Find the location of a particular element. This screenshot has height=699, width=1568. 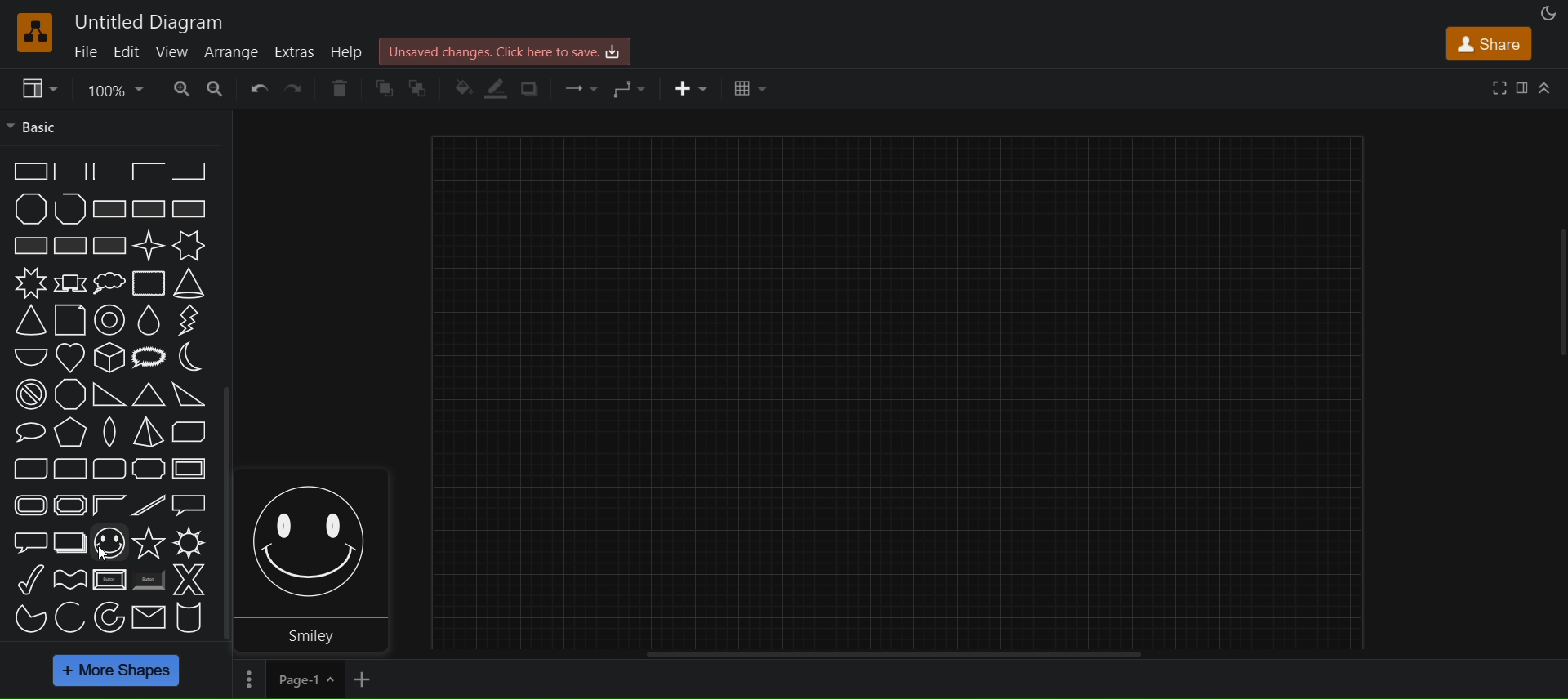

smiley is located at coordinates (317, 536).